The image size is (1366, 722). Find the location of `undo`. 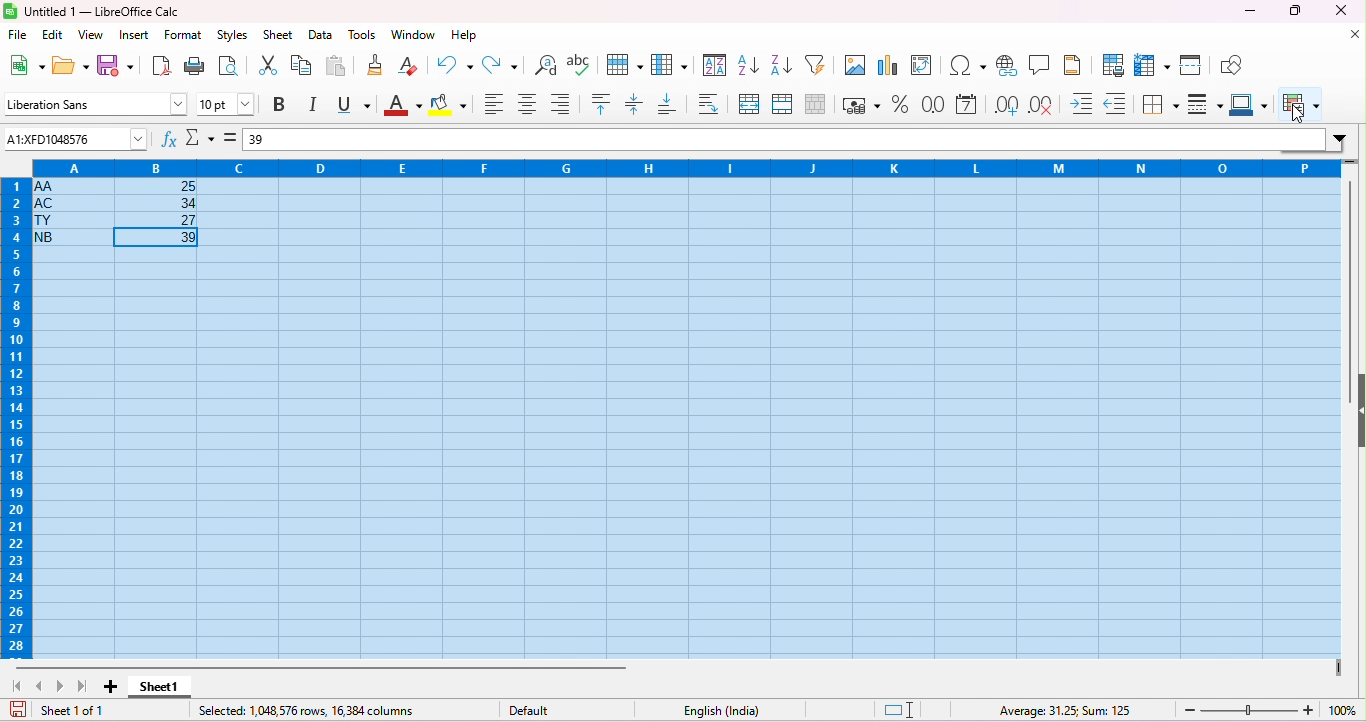

undo is located at coordinates (456, 64).